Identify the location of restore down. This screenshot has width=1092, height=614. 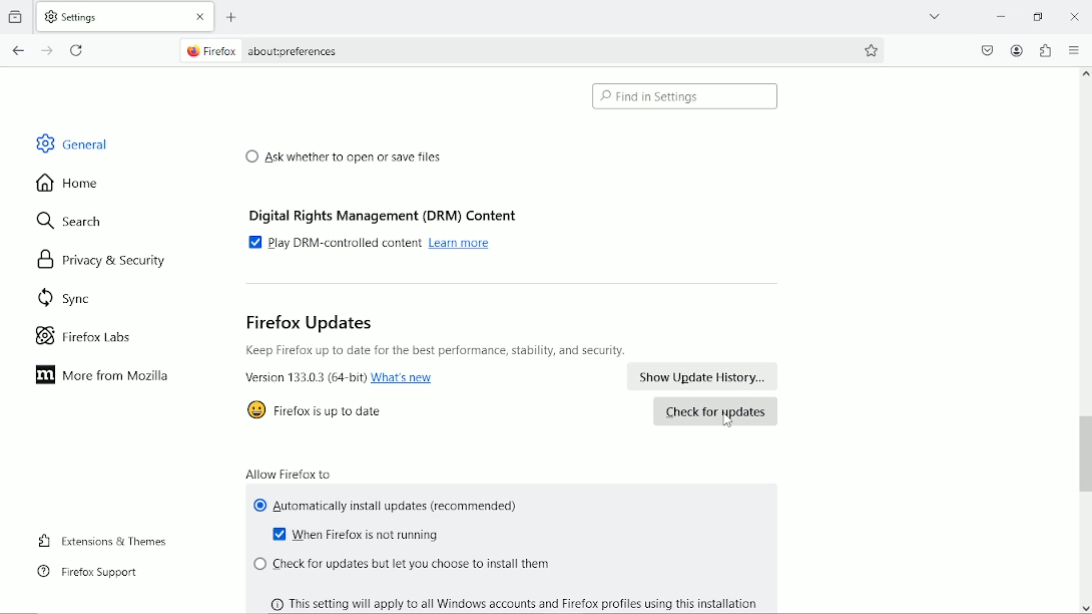
(1039, 17).